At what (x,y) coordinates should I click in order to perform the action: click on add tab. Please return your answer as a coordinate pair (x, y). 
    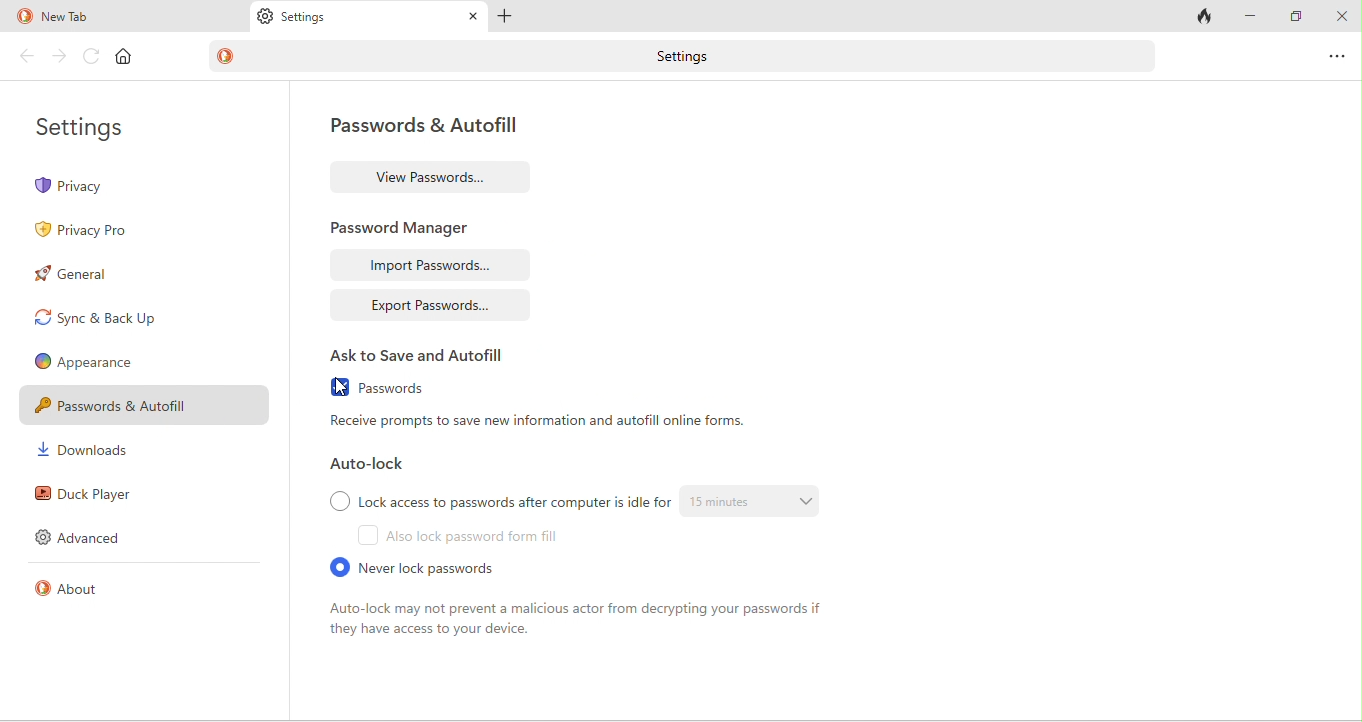
    Looking at the image, I should click on (505, 17).